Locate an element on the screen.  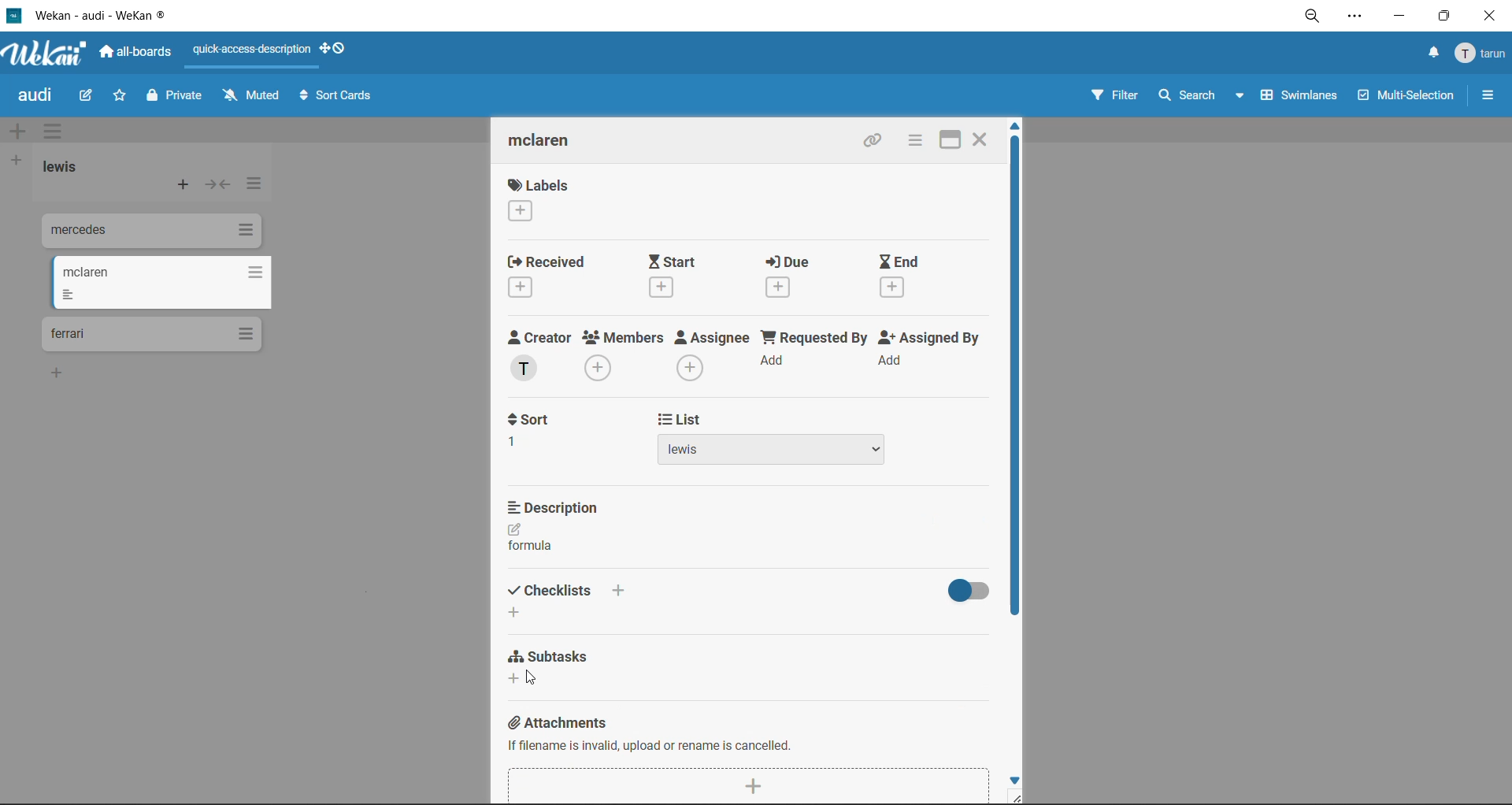
notifications is located at coordinates (1431, 55).